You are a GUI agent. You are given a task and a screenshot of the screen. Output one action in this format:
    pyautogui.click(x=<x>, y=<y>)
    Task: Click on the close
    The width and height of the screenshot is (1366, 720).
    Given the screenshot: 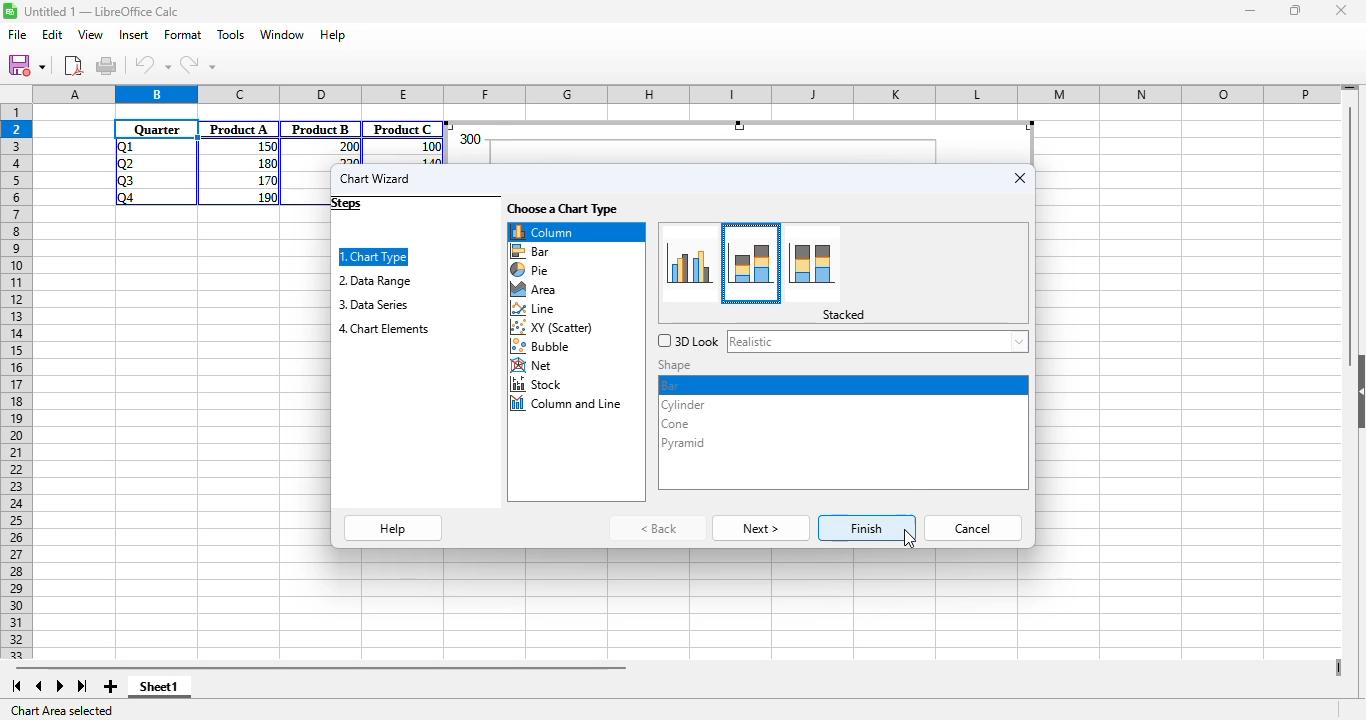 What is the action you would take?
    pyautogui.click(x=1340, y=10)
    